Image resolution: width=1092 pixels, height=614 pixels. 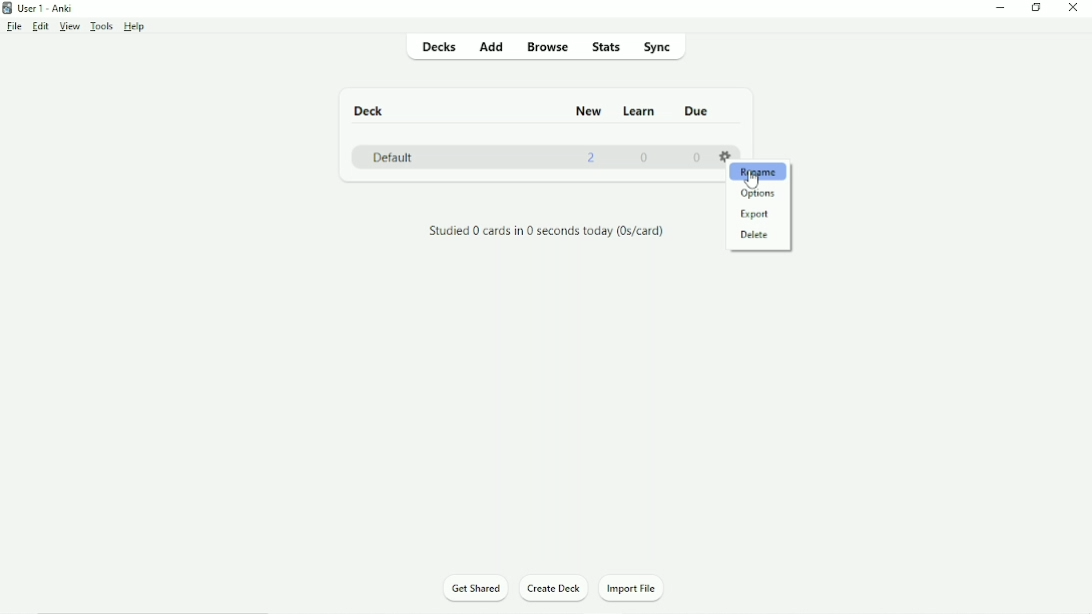 What do you see at coordinates (726, 154) in the screenshot?
I see `Settings` at bounding box center [726, 154].